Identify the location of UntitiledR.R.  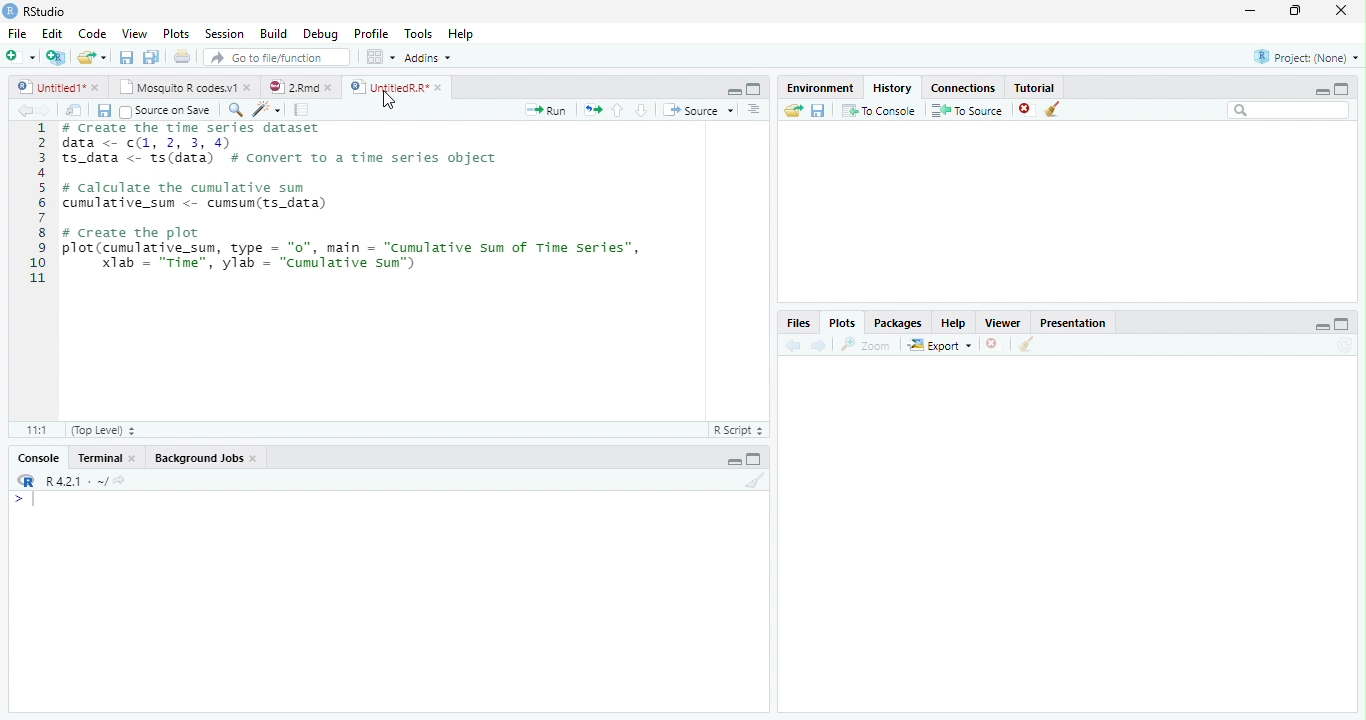
(400, 86).